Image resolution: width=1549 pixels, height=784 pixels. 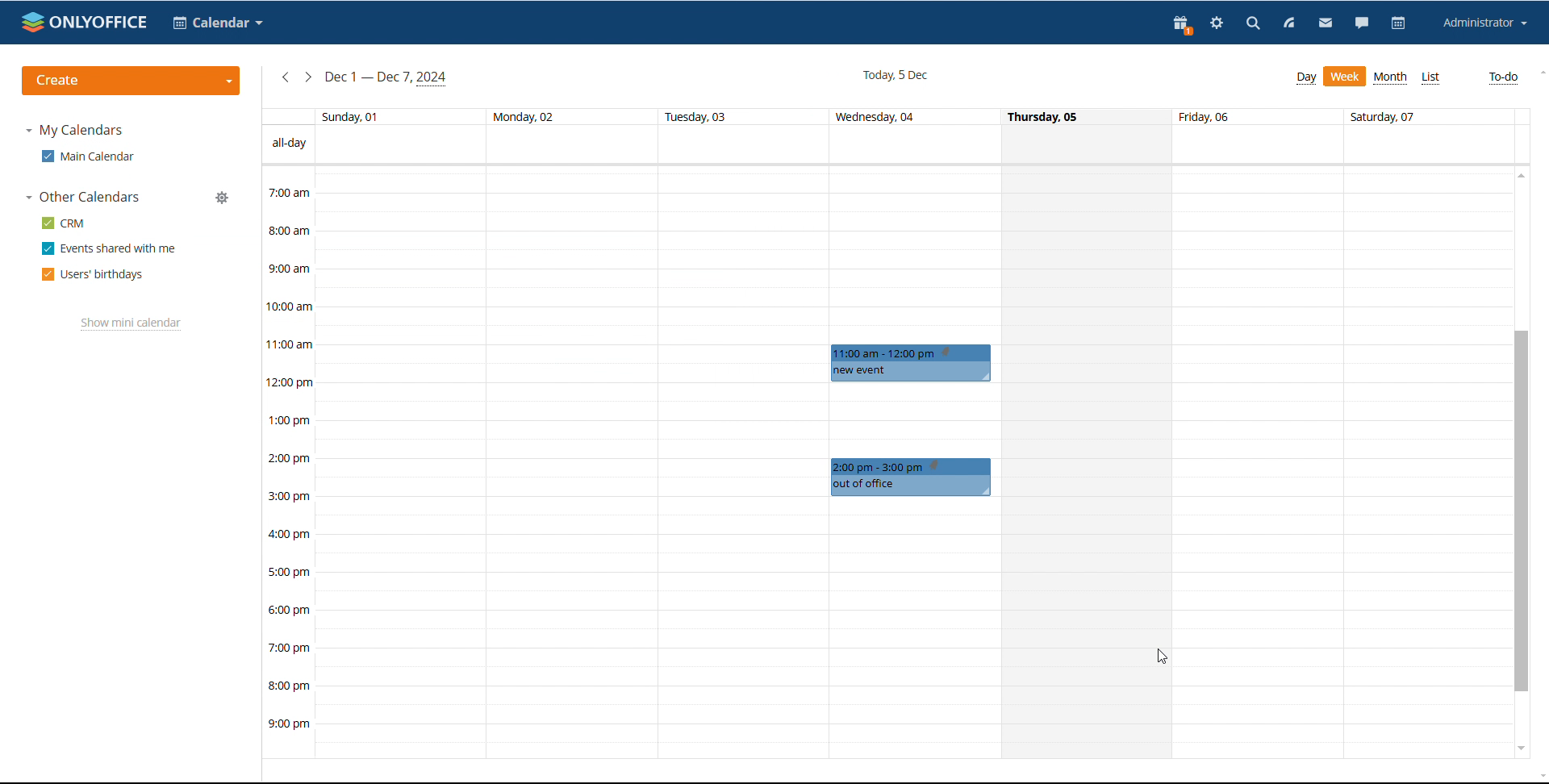 What do you see at coordinates (1522, 511) in the screenshot?
I see `scrollbar` at bounding box center [1522, 511].